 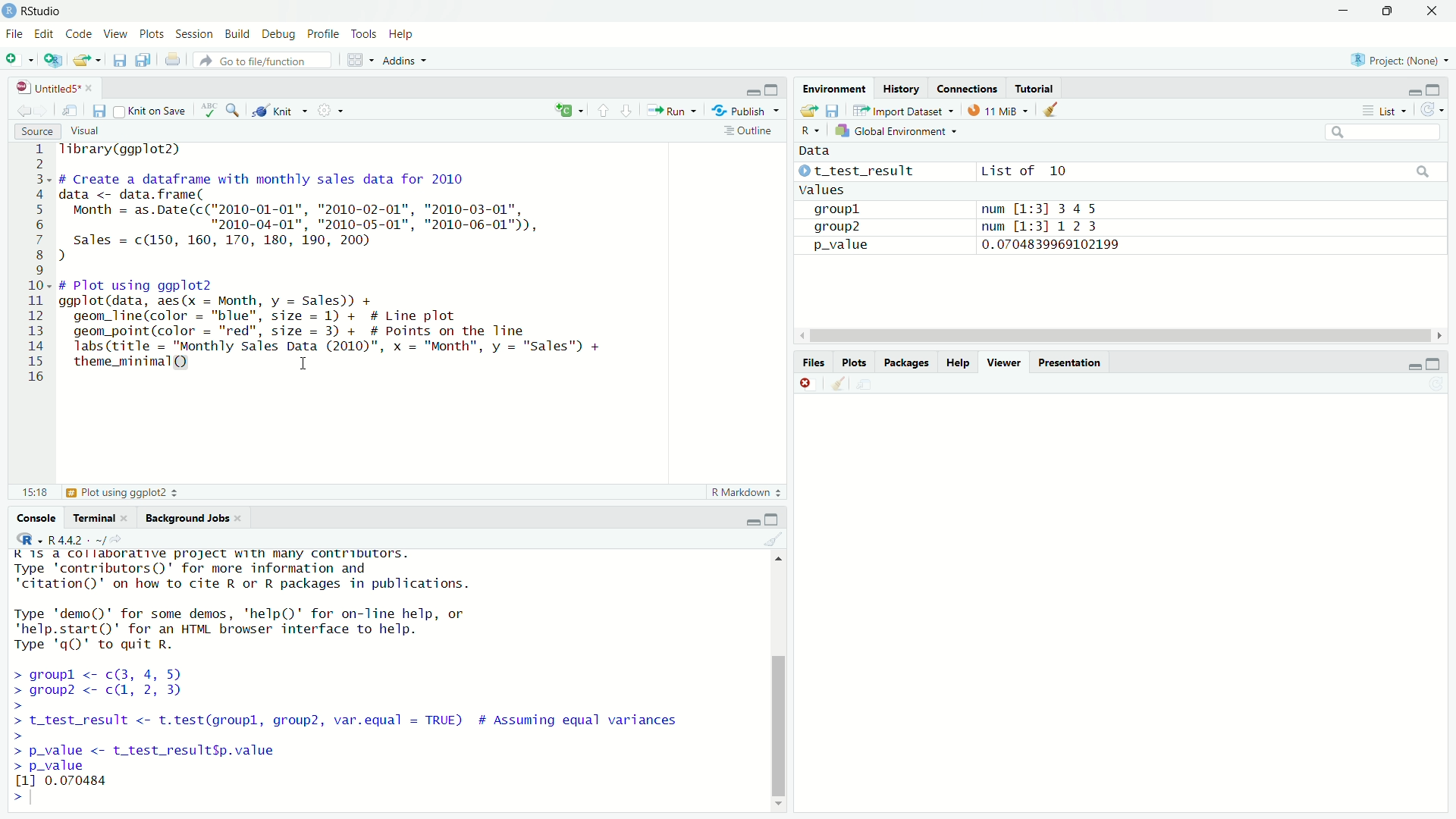 What do you see at coordinates (99, 111) in the screenshot?
I see `save` at bounding box center [99, 111].